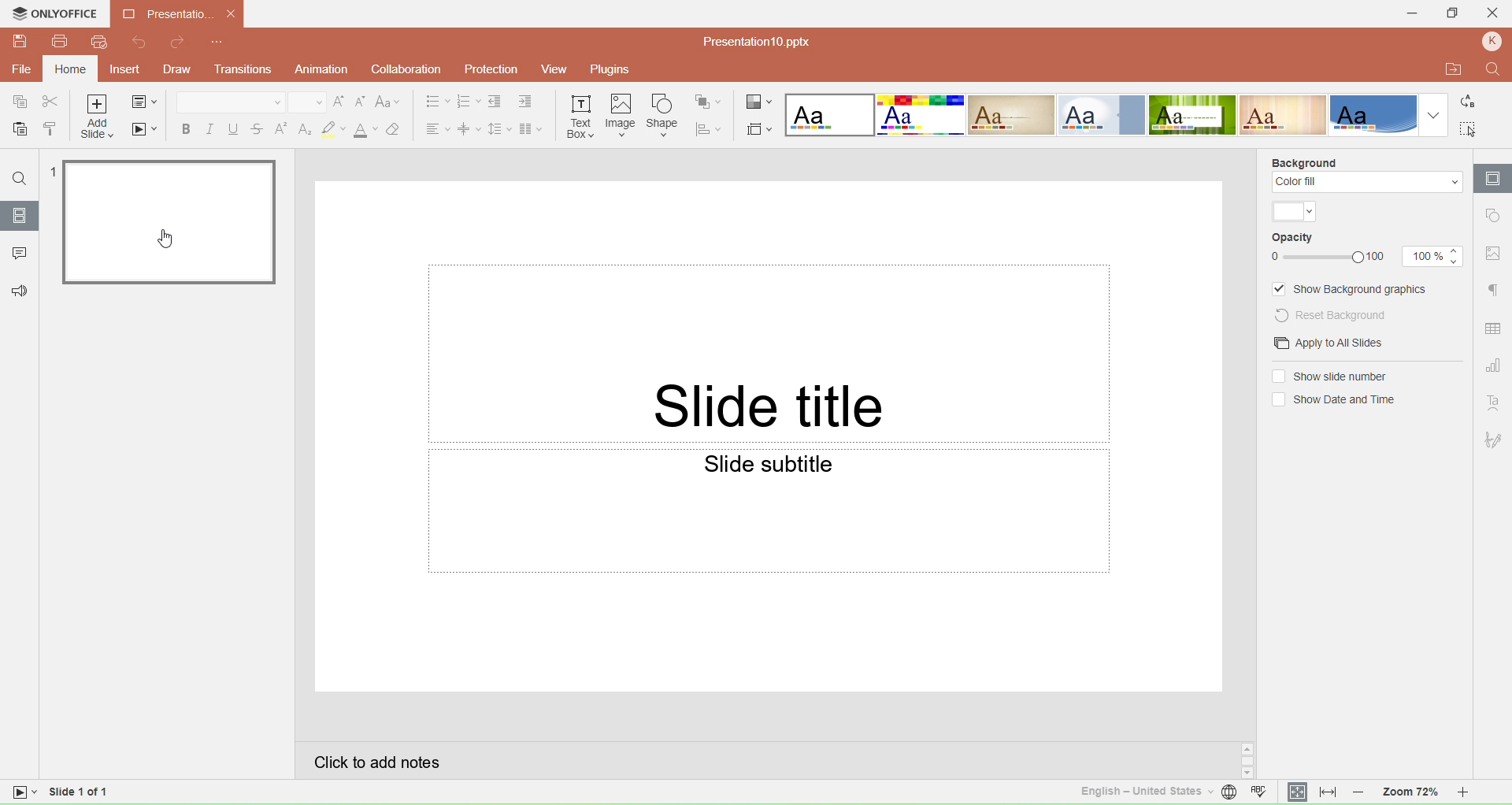 Image resolution: width=1512 pixels, height=805 pixels. Describe the element at coordinates (61, 44) in the screenshot. I see `Print file` at that location.